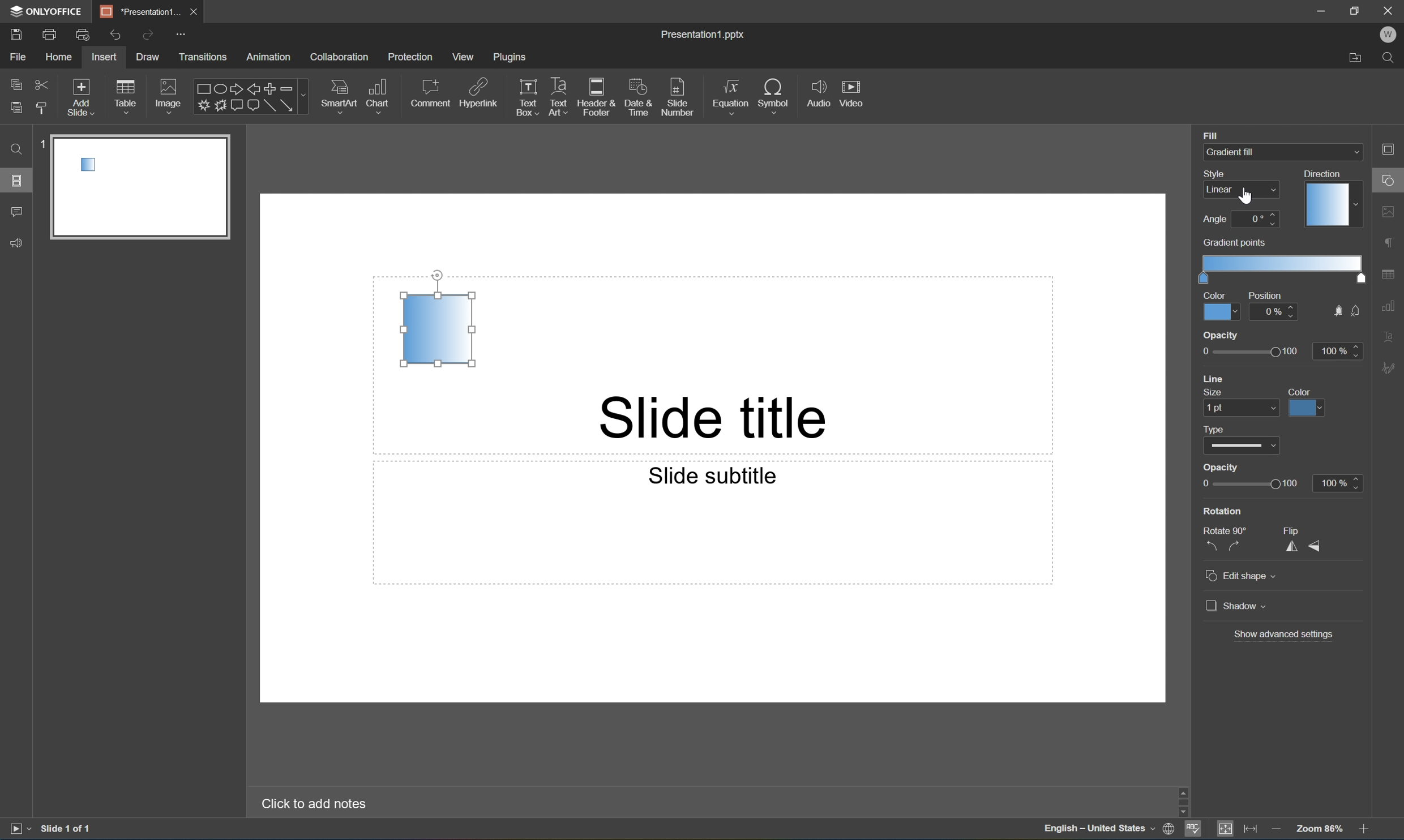 The height and width of the screenshot is (840, 1404). Describe the element at coordinates (338, 94) in the screenshot. I see `SmartArt` at that location.